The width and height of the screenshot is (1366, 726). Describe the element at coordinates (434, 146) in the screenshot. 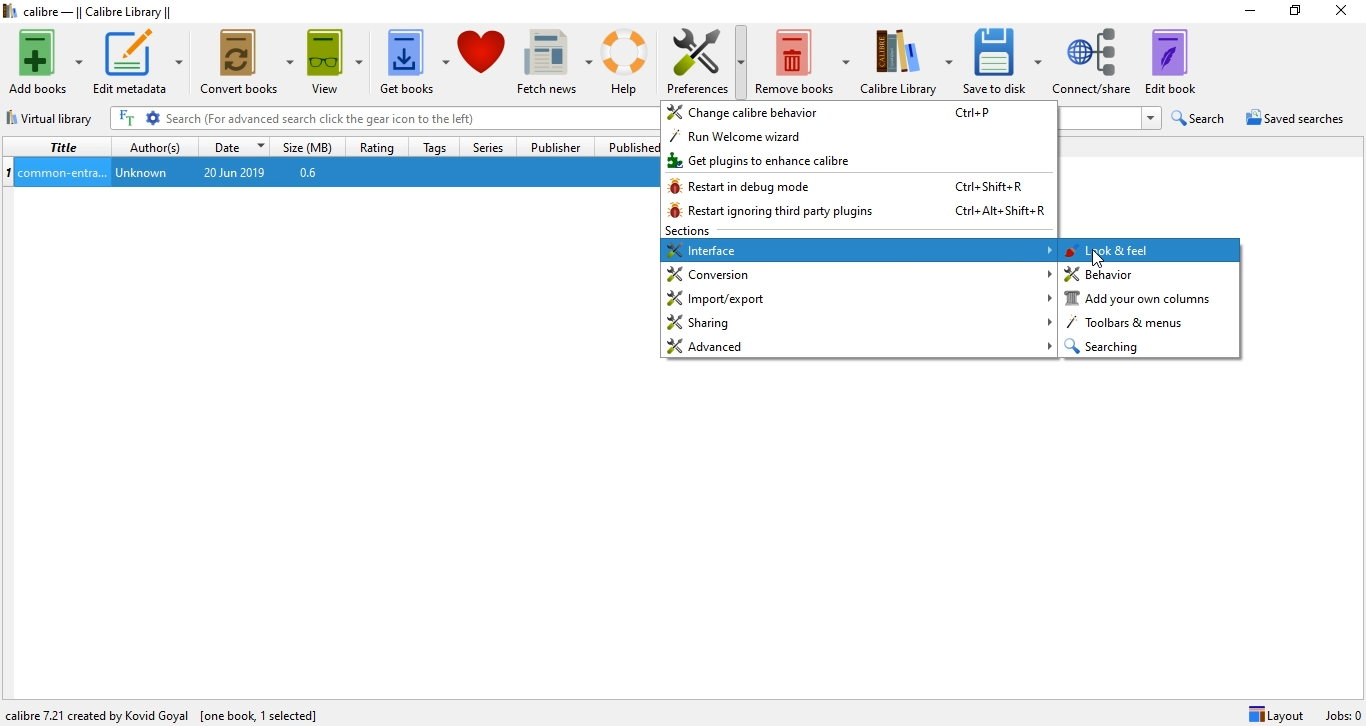

I see `Tags` at that location.